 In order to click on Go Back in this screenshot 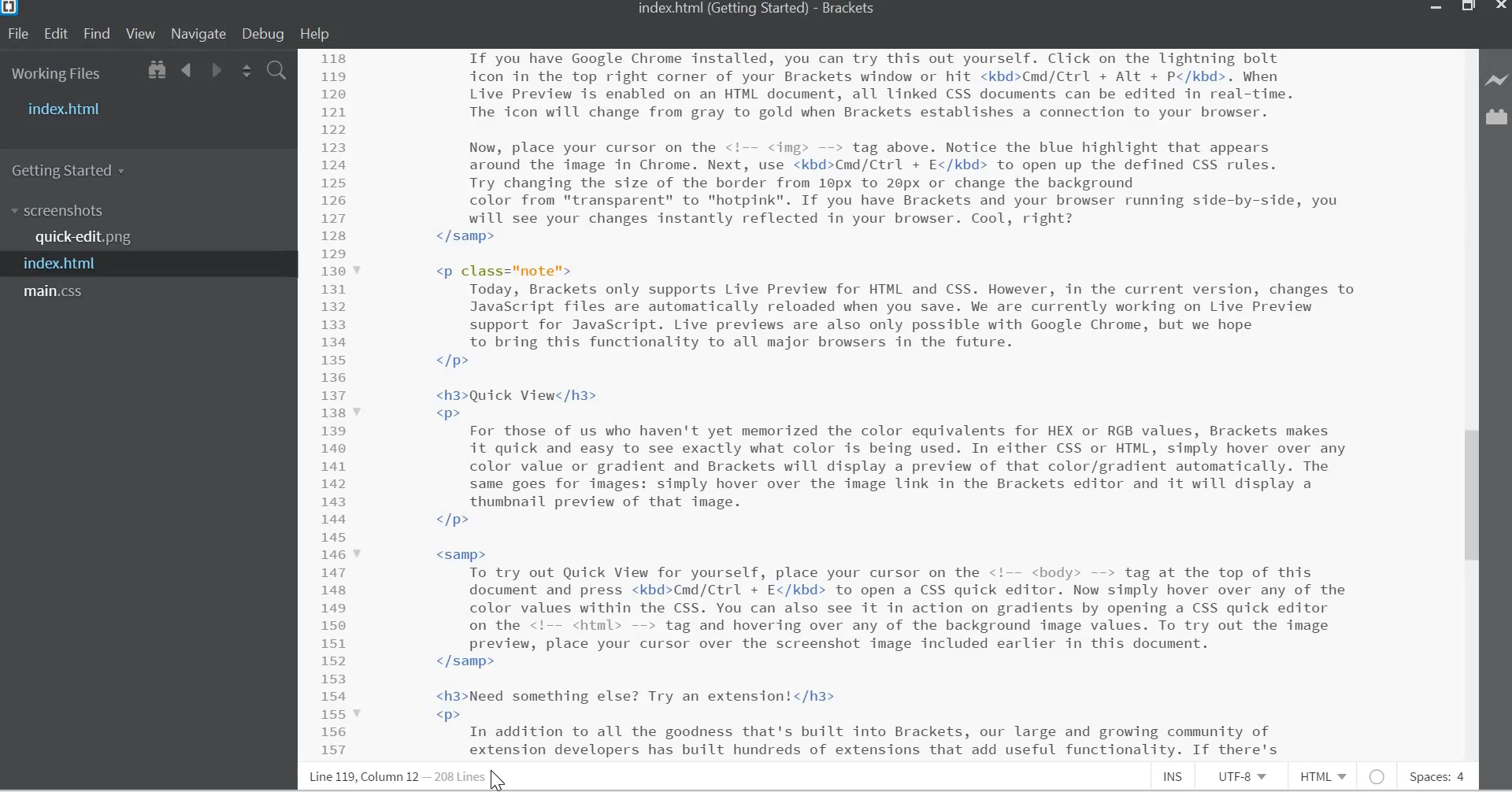, I will do `click(186, 69)`.